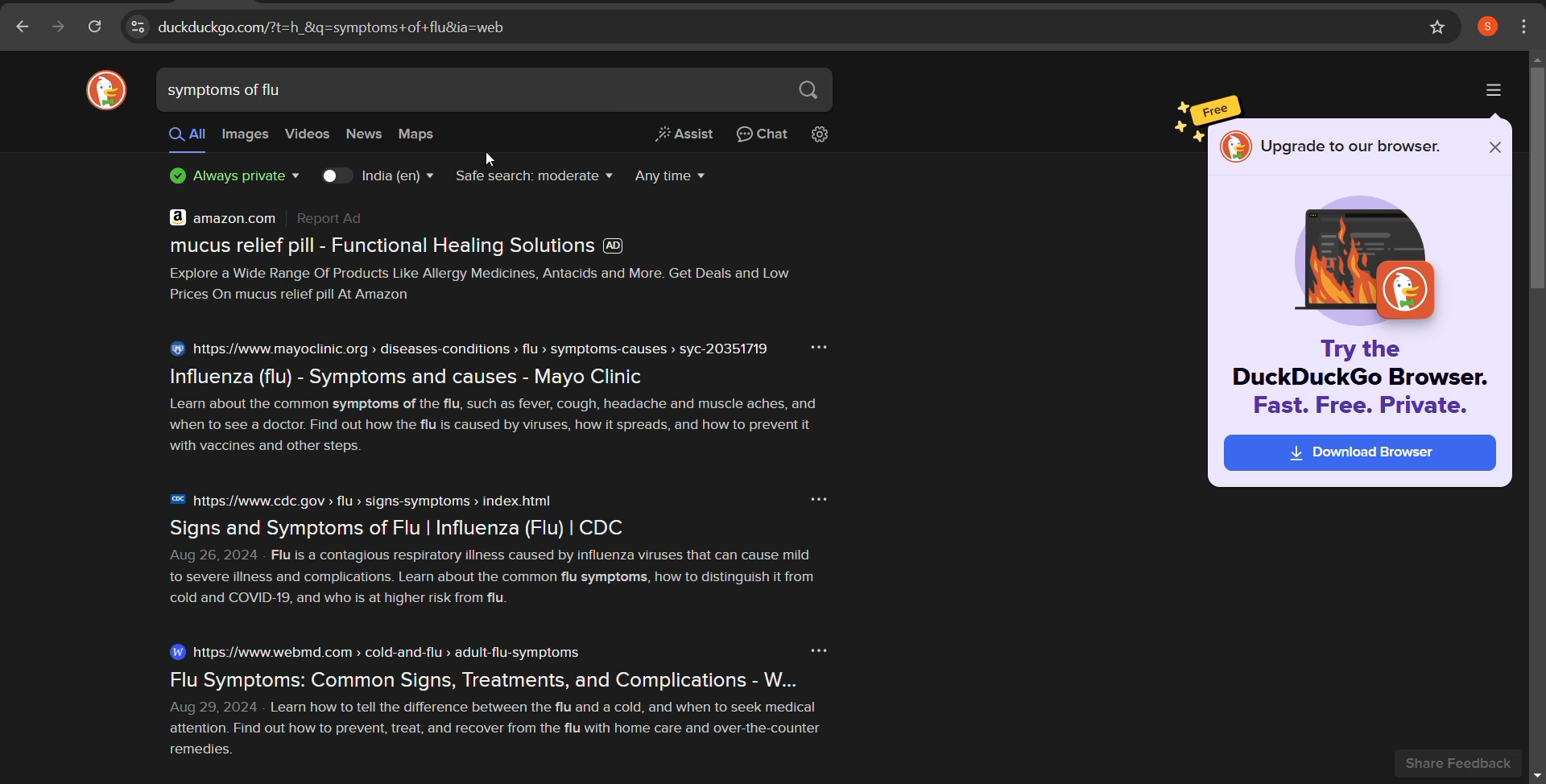  I want to click on amazon logo, so click(171, 217).